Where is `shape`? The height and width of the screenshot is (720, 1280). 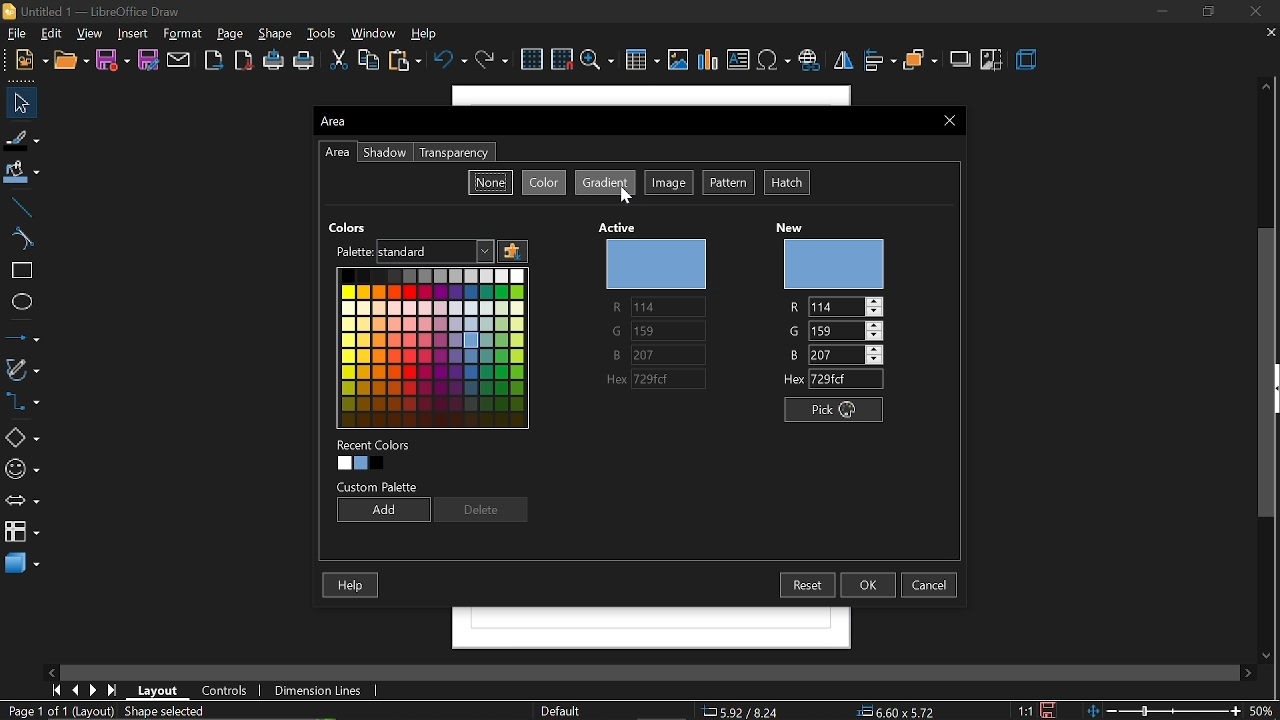 shape is located at coordinates (276, 34).